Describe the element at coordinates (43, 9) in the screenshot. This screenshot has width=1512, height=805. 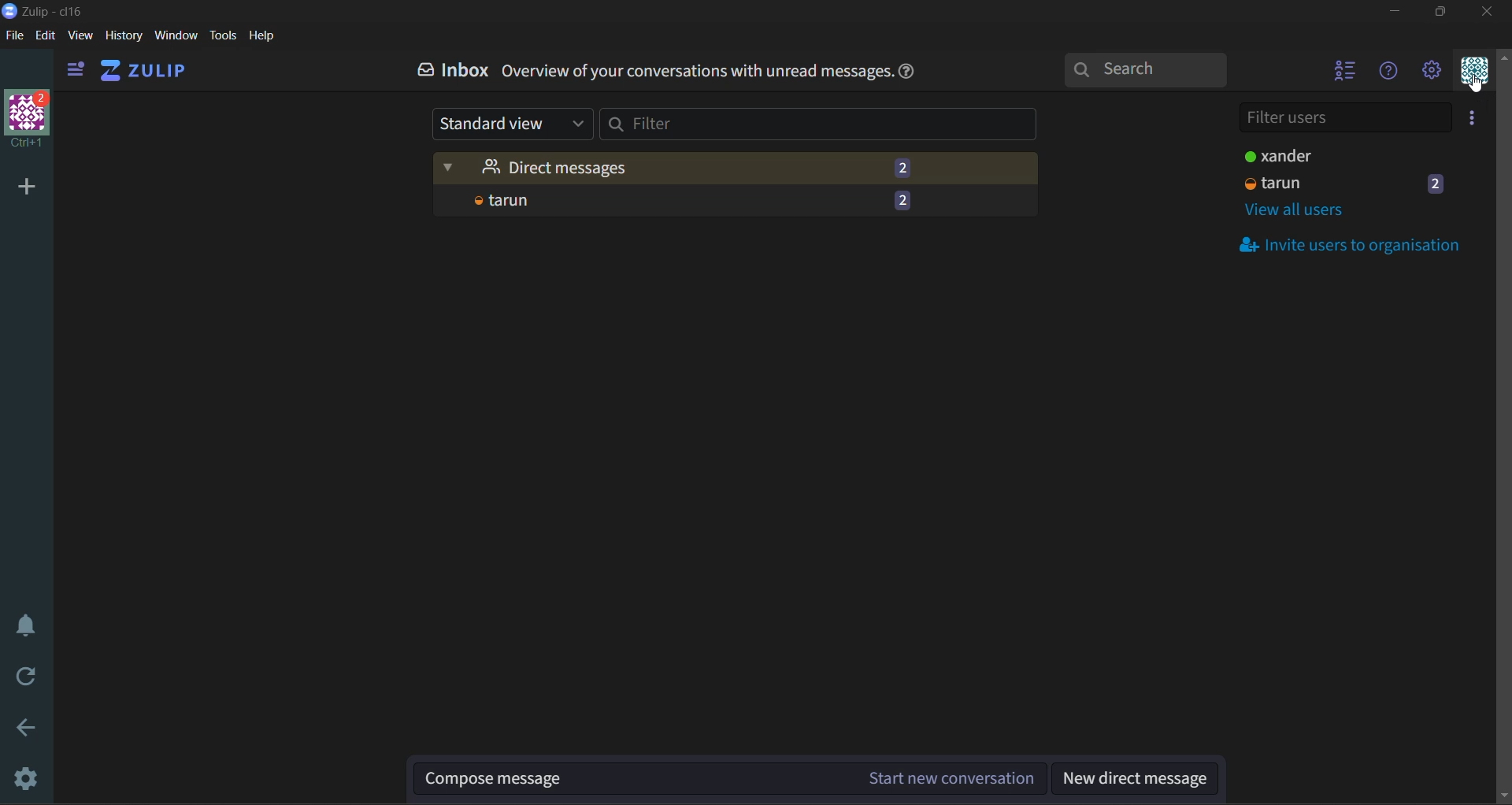
I see `app name and organisation name` at that location.